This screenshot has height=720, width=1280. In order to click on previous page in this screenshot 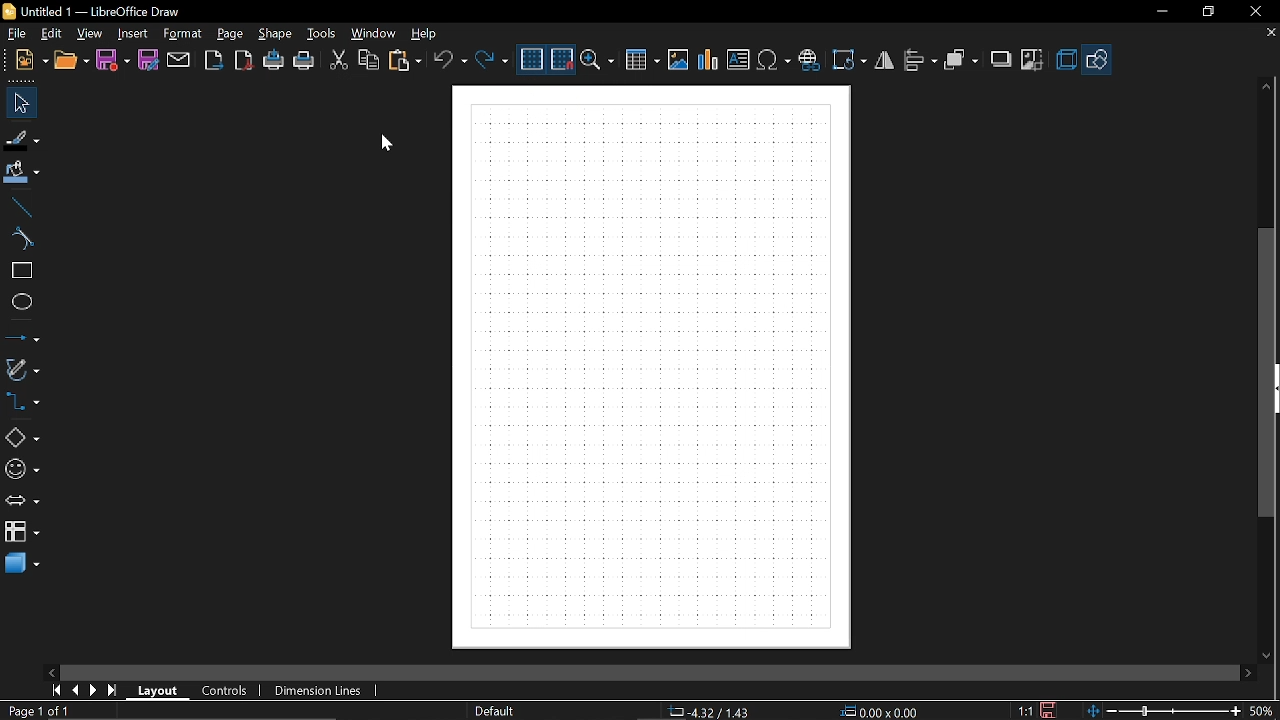, I will do `click(77, 690)`.